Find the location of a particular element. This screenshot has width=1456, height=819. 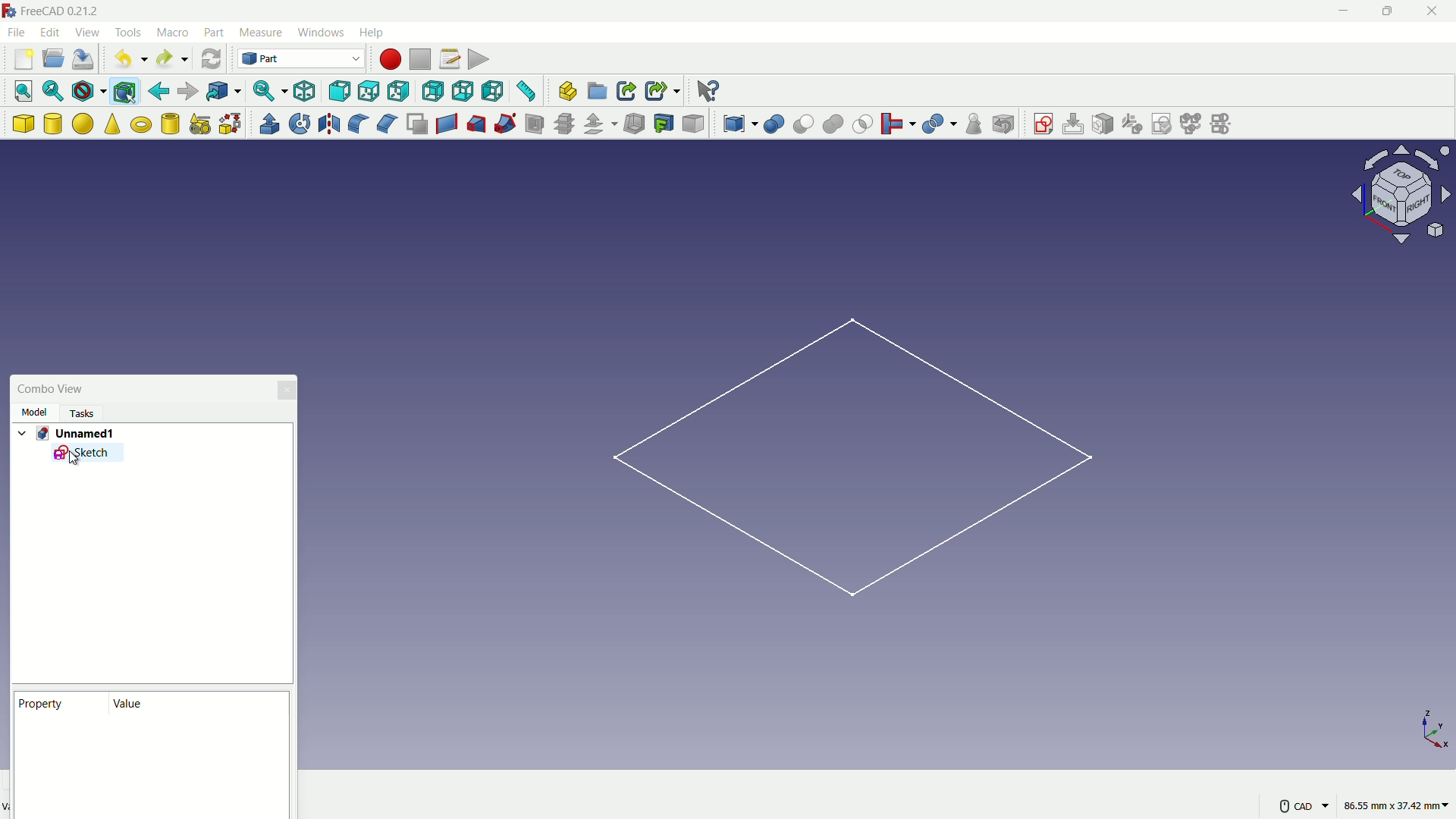

file is located at coordinates (17, 33).